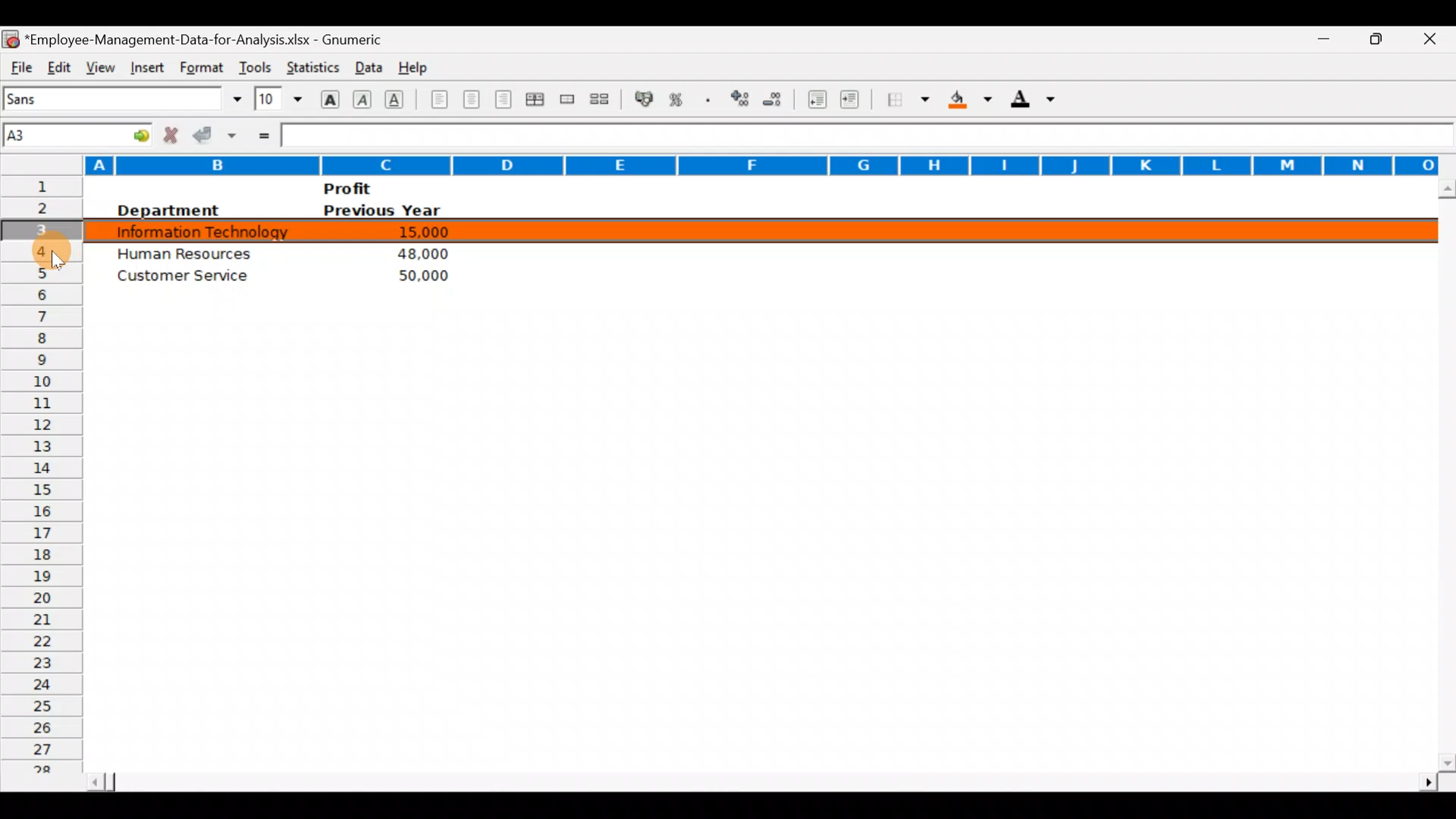 The width and height of the screenshot is (1456, 819). Describe the element at coordinates (1443, 475) in the screenshot. I see `Scroll bar` at that location.